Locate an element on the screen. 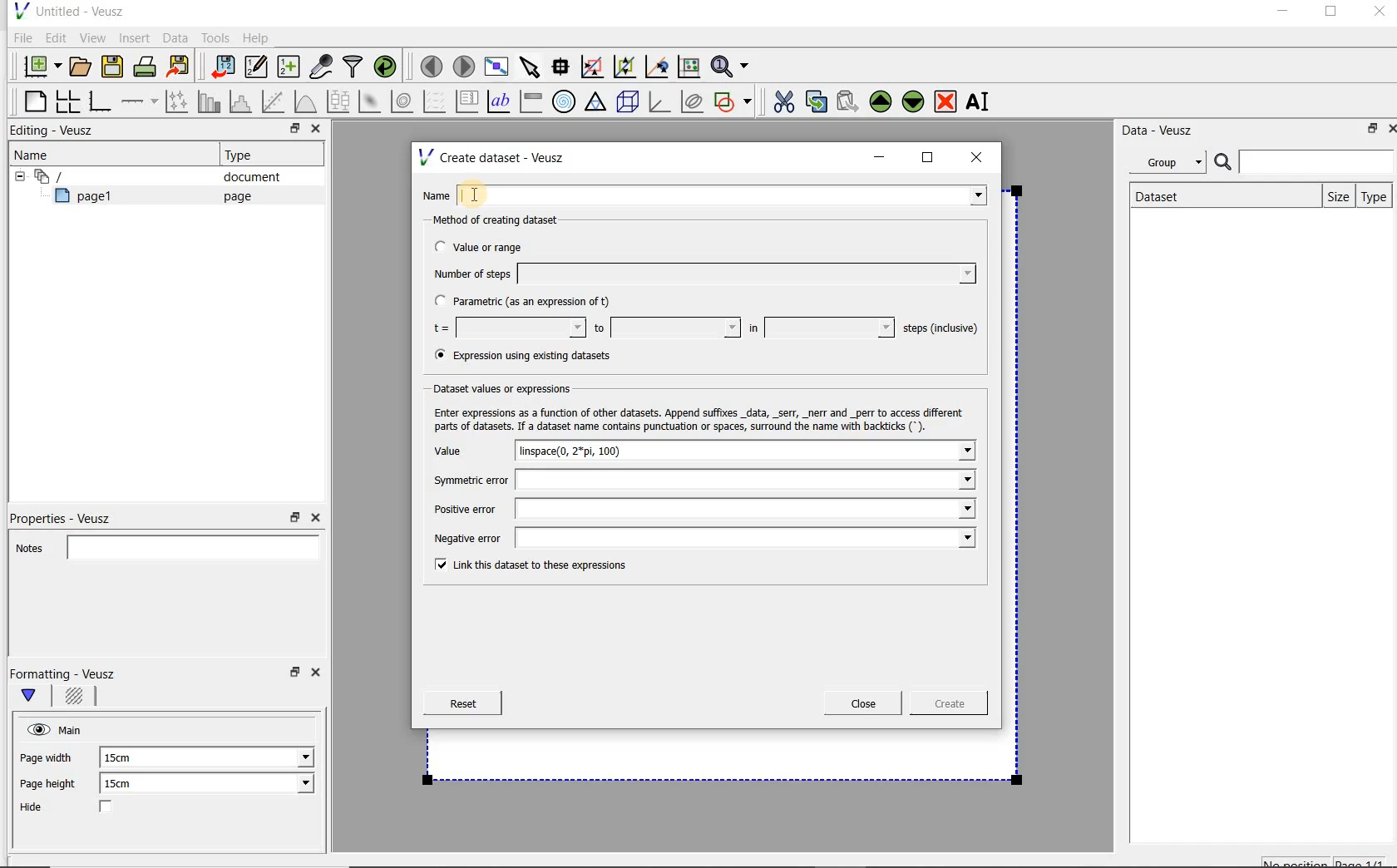 The height and width of the screenshot is (868, 1397). Notes is located at coordinates (162, 545).